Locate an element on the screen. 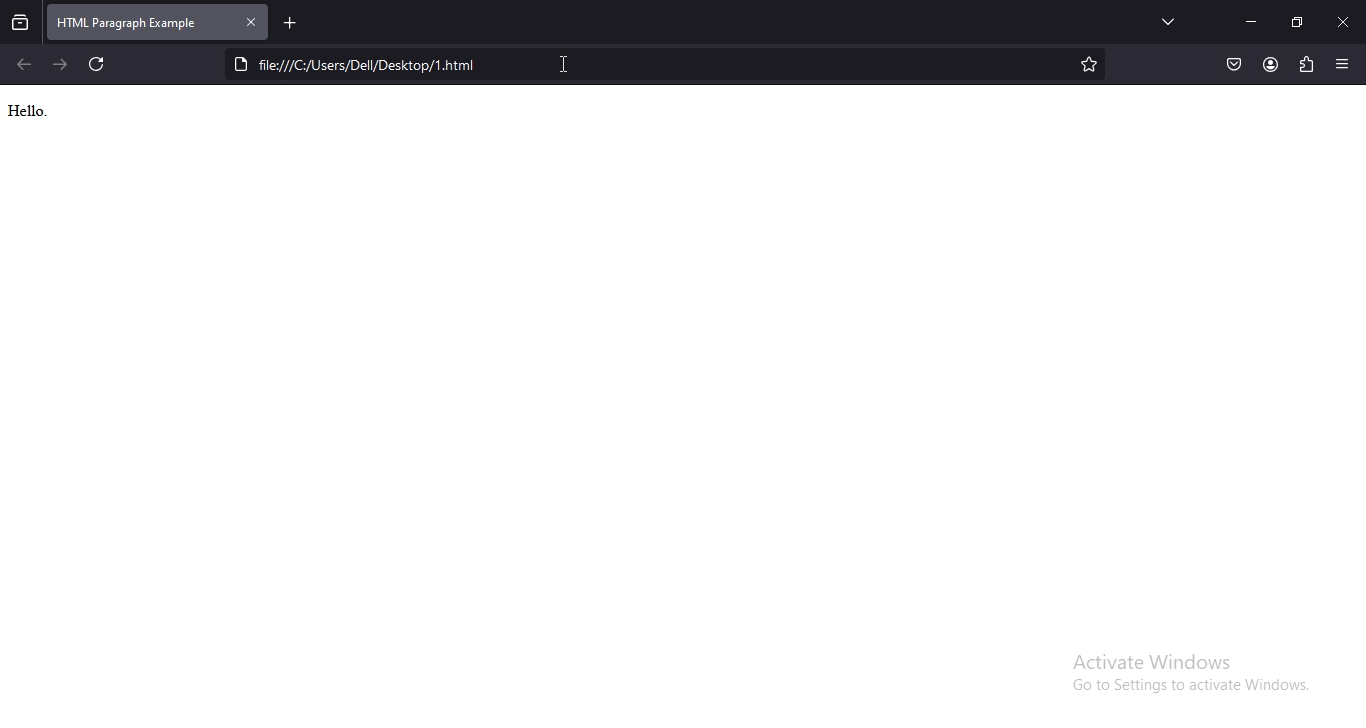 The height and width of the screenshot is (728, 1366). bookmark is located at coordinates (1086, 65).